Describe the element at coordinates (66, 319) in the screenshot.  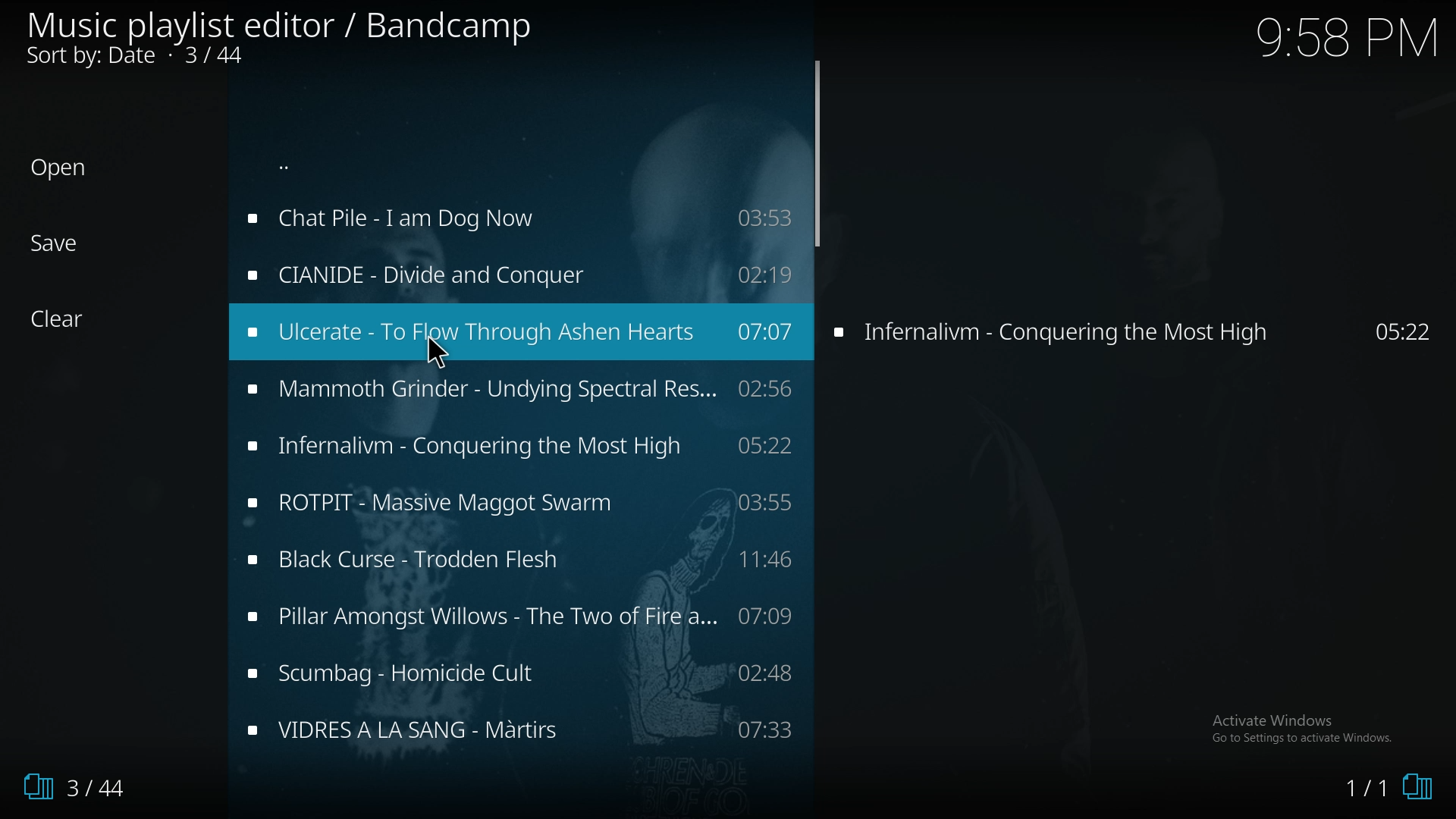
I see `Clear` at that location.